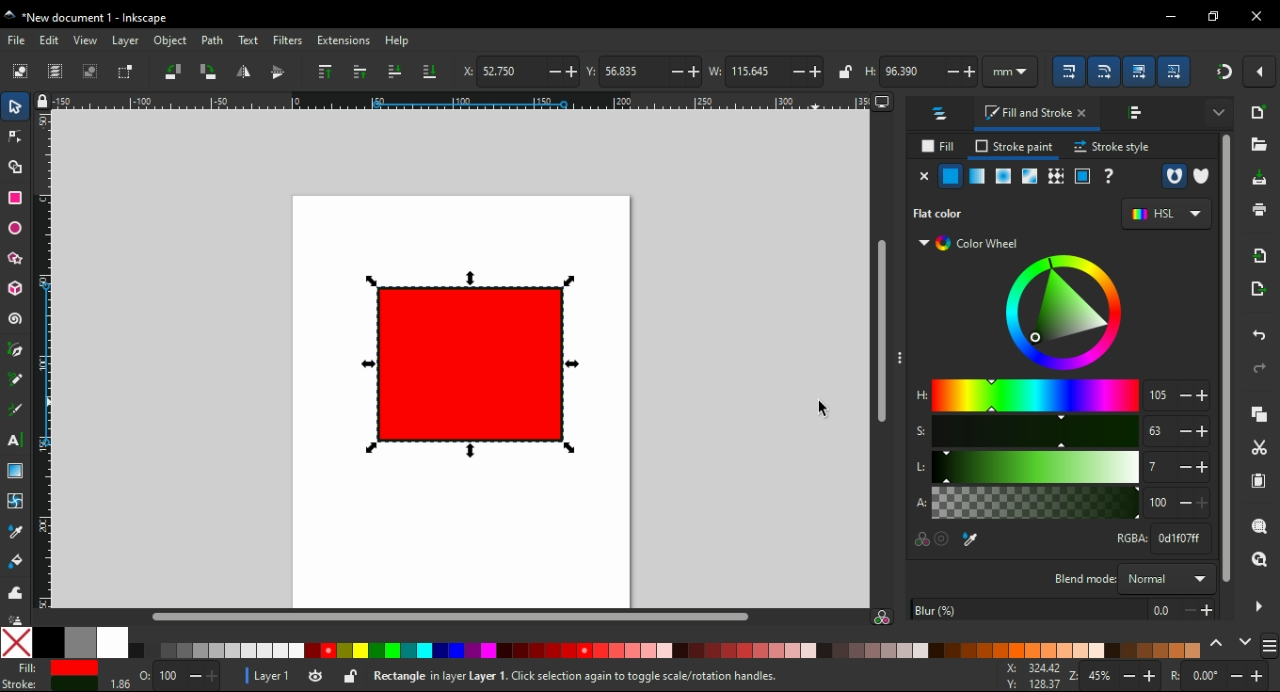 The width and height of the screenshot is (1280, 692). I want to click on increase/decrease, so click(1194, 467).